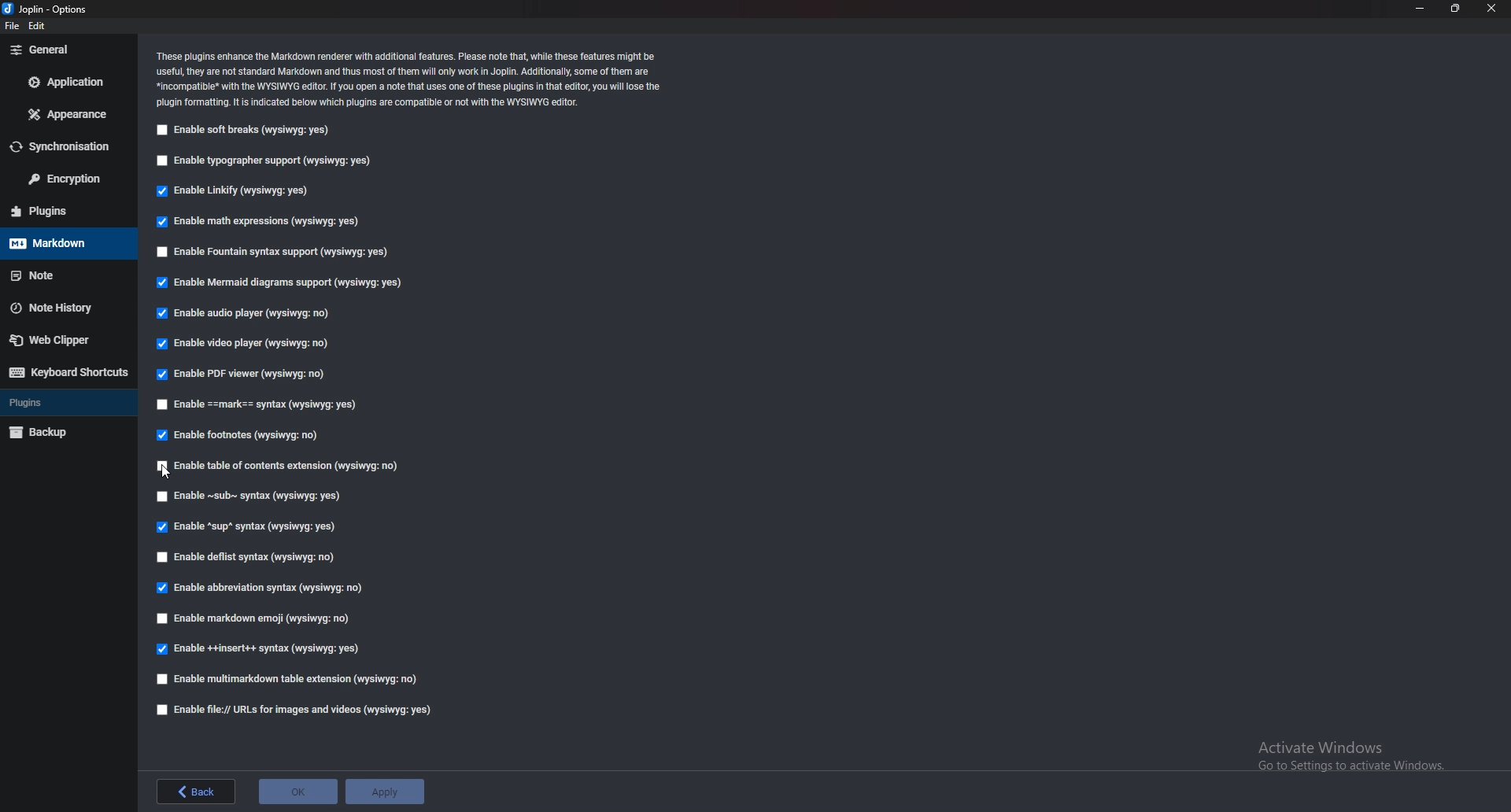  Describe the element at coordinates (257, 618) in the screenshot. I see `Enable markdown emoji` at that location.